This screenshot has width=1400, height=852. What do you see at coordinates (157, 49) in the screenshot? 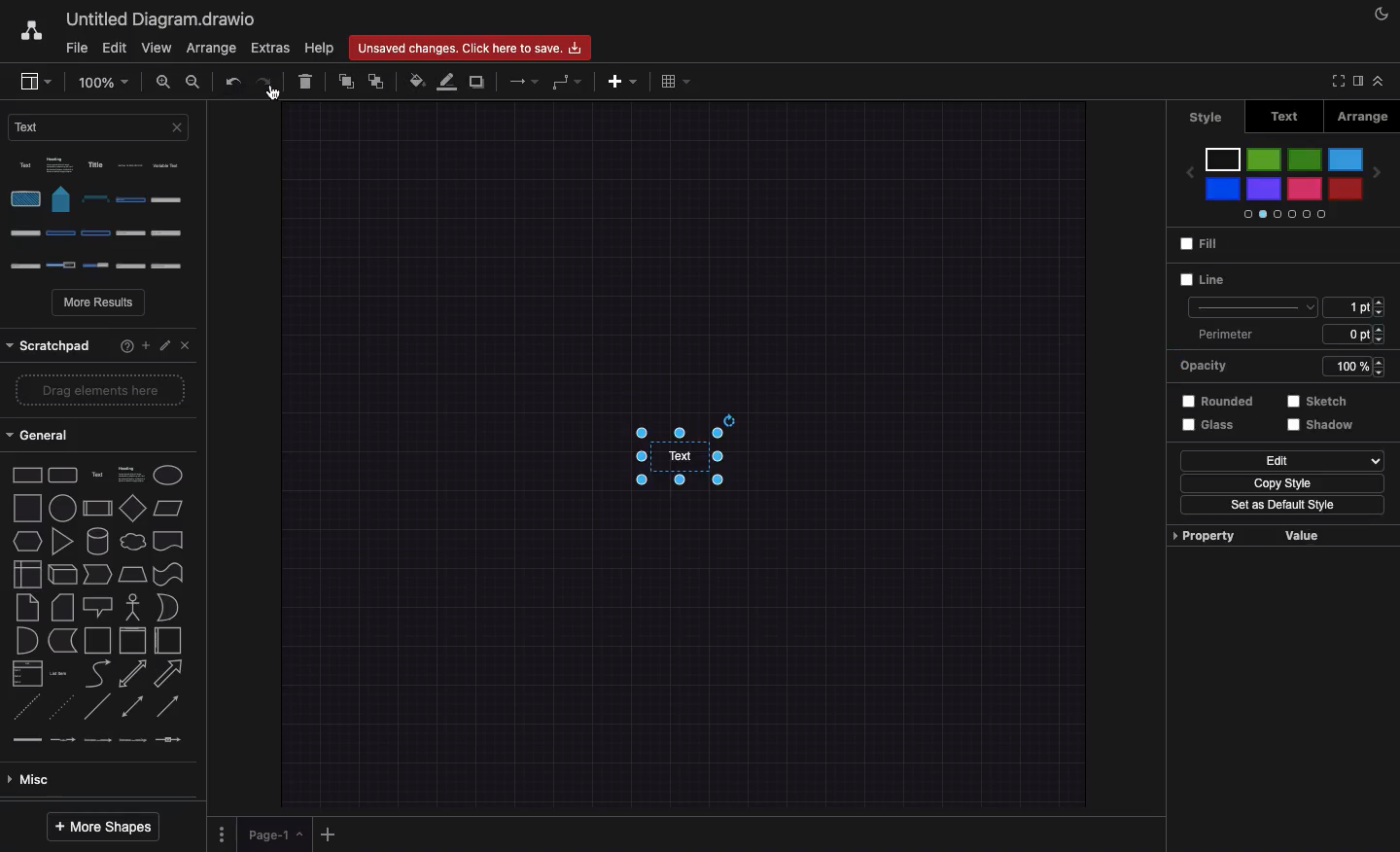
I see `View` at bounding box center [157, 49].